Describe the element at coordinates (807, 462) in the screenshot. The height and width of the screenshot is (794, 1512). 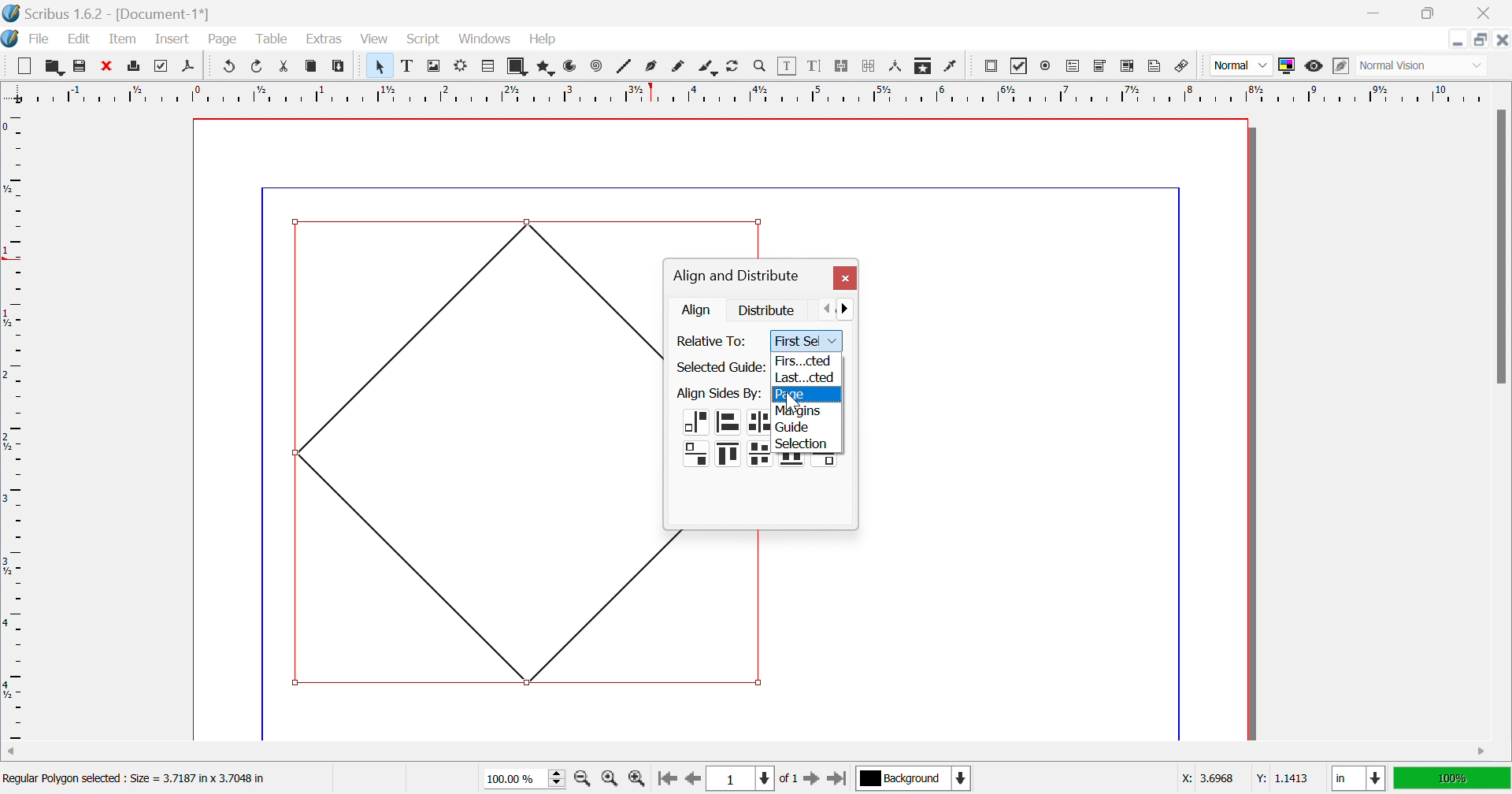
I see `alignments` at that location.